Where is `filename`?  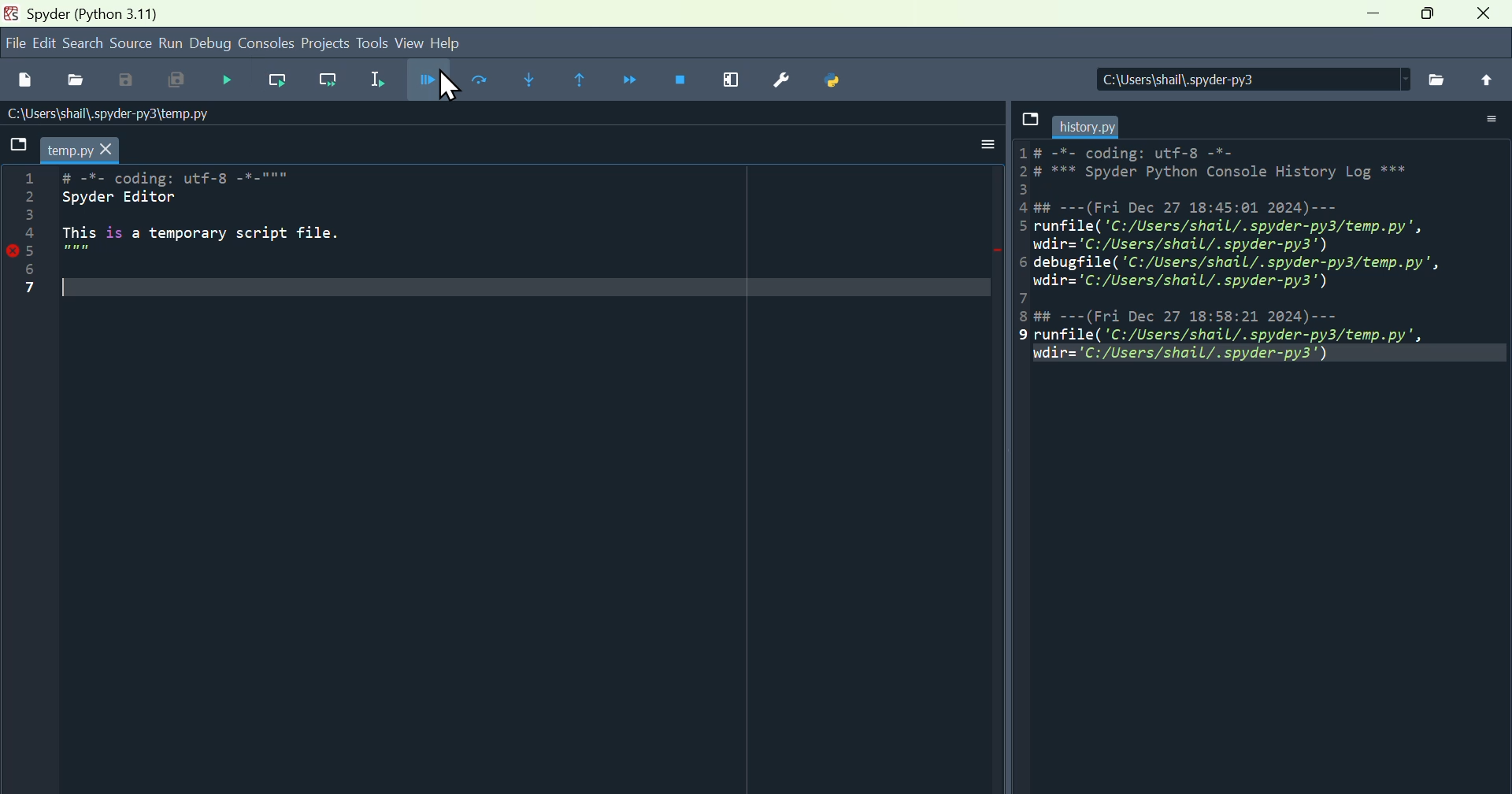
filename is located at coordinates (1089, 123).